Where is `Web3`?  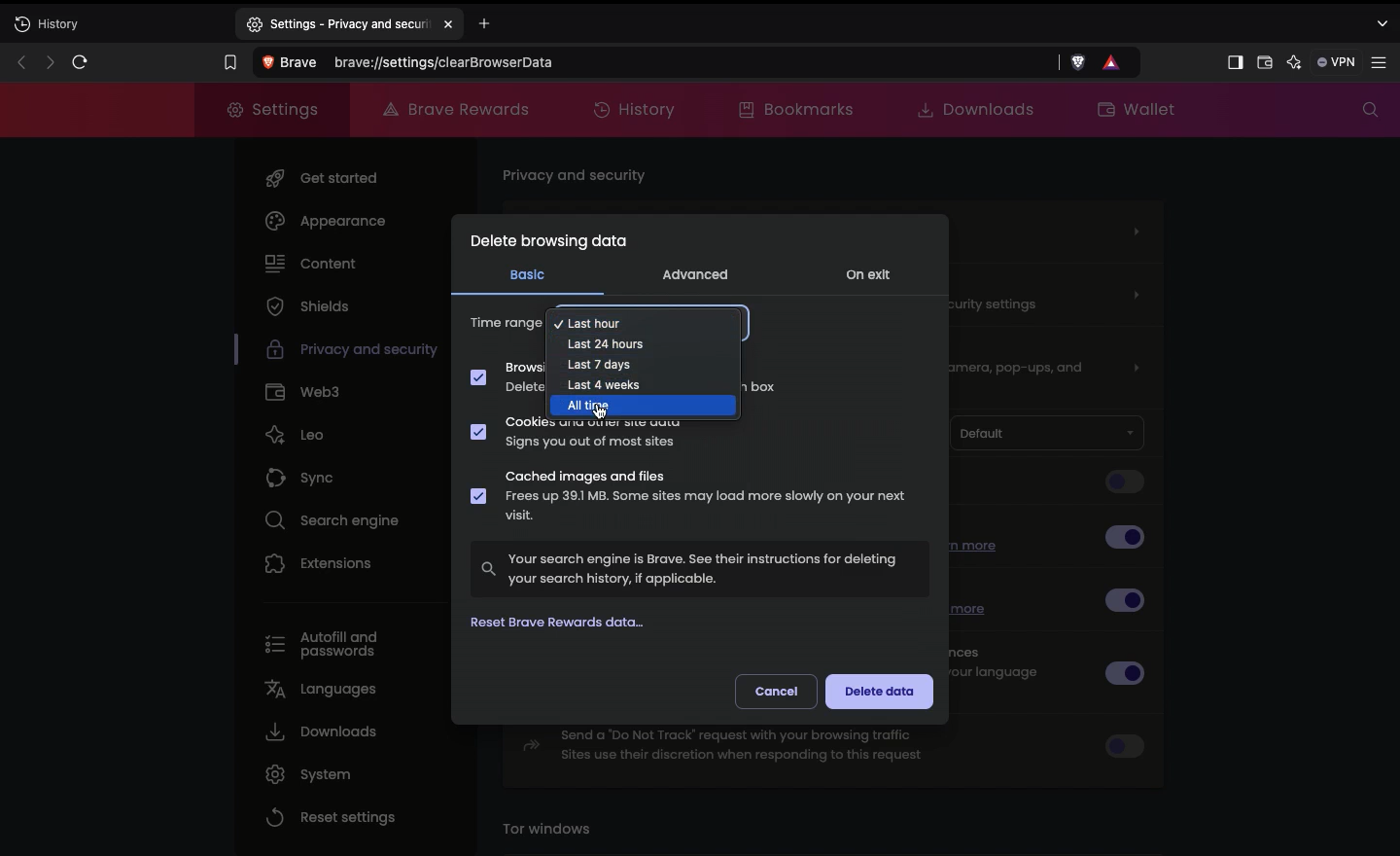 Web3 is located at coordinates (306, 393).